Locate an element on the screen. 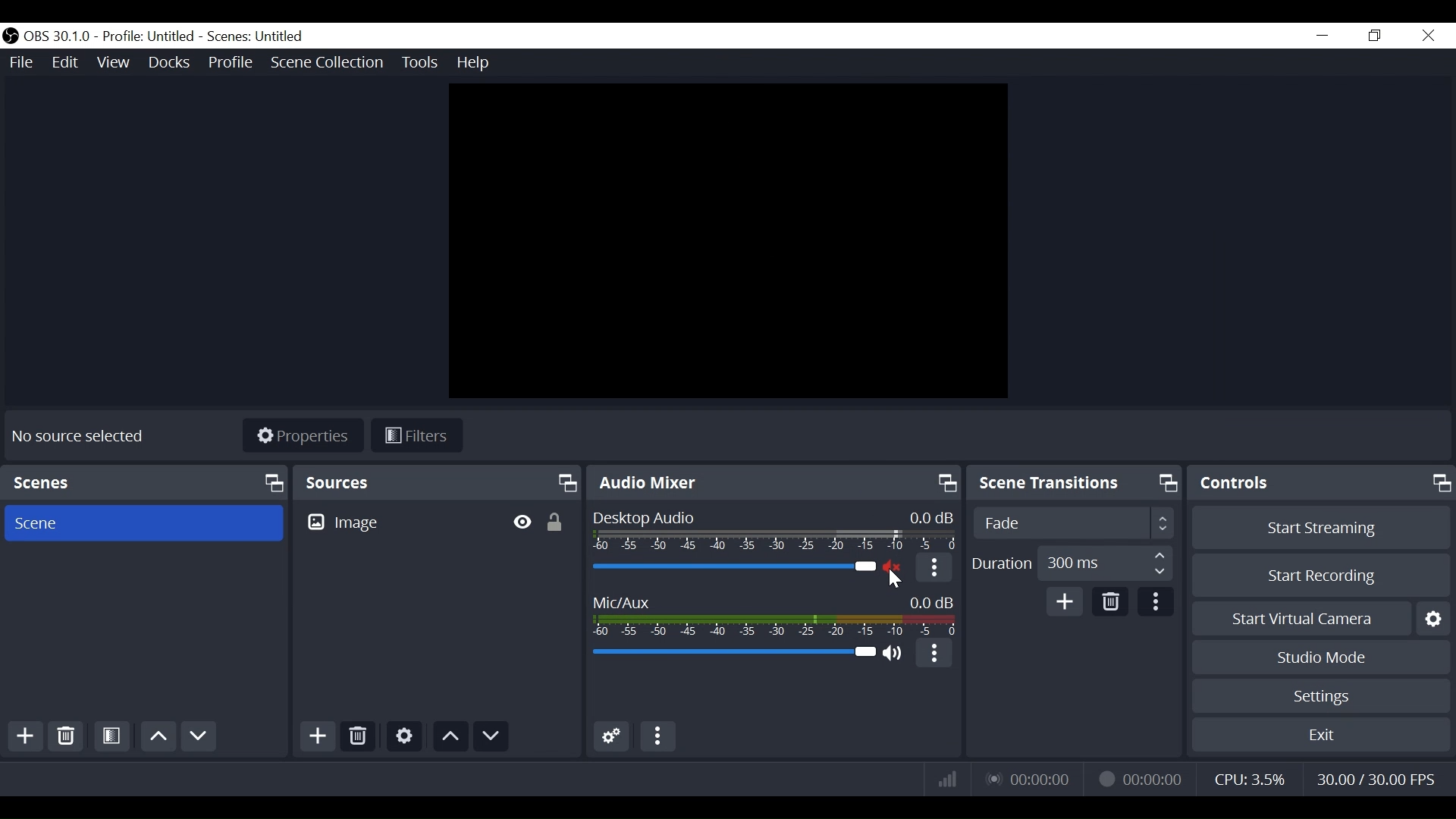 This screenshot has width=1456, height=819. No Source selected is located at coordinates (83, 435).